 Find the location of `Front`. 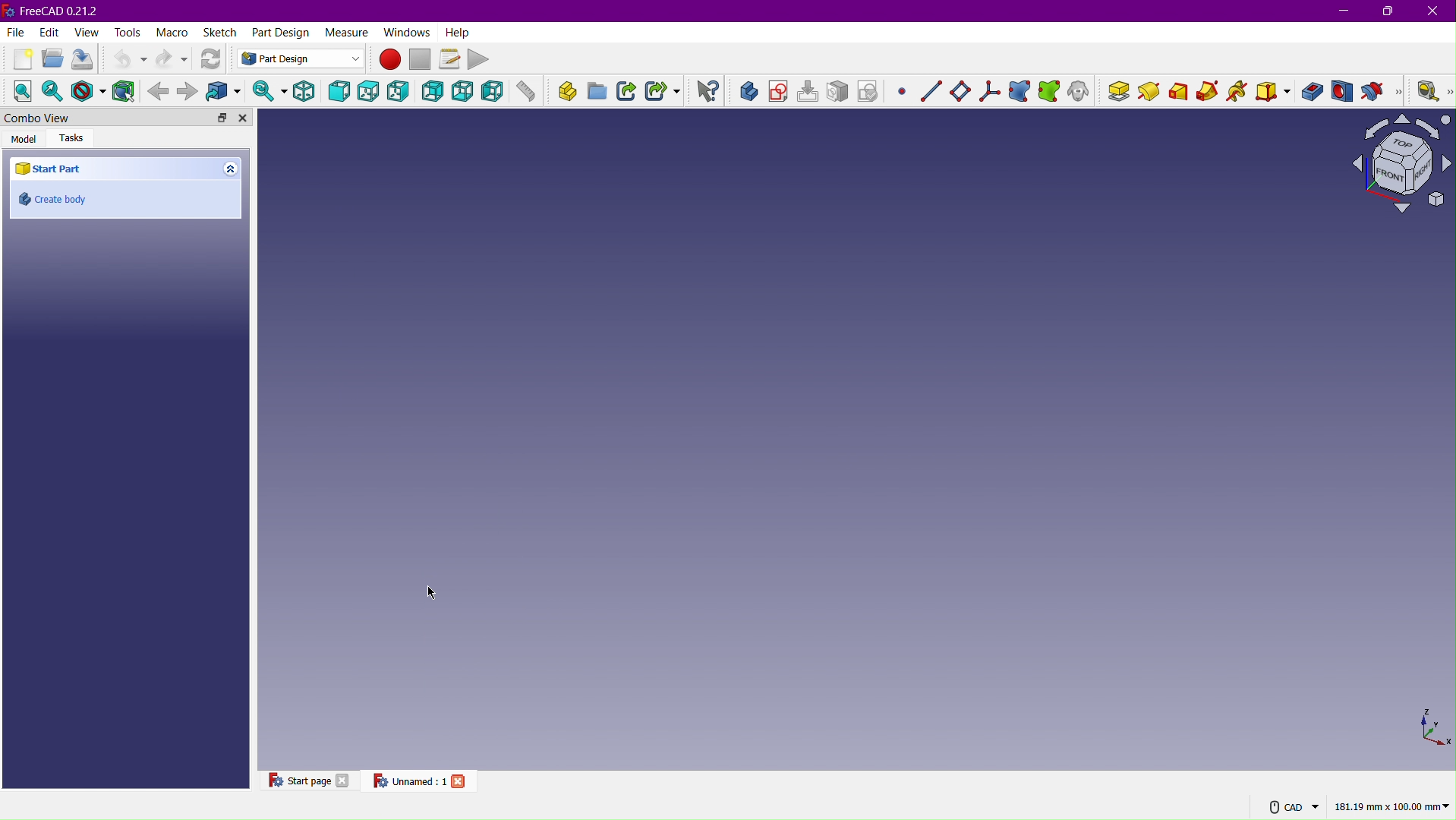

Front is located at coordinates (338, 91).